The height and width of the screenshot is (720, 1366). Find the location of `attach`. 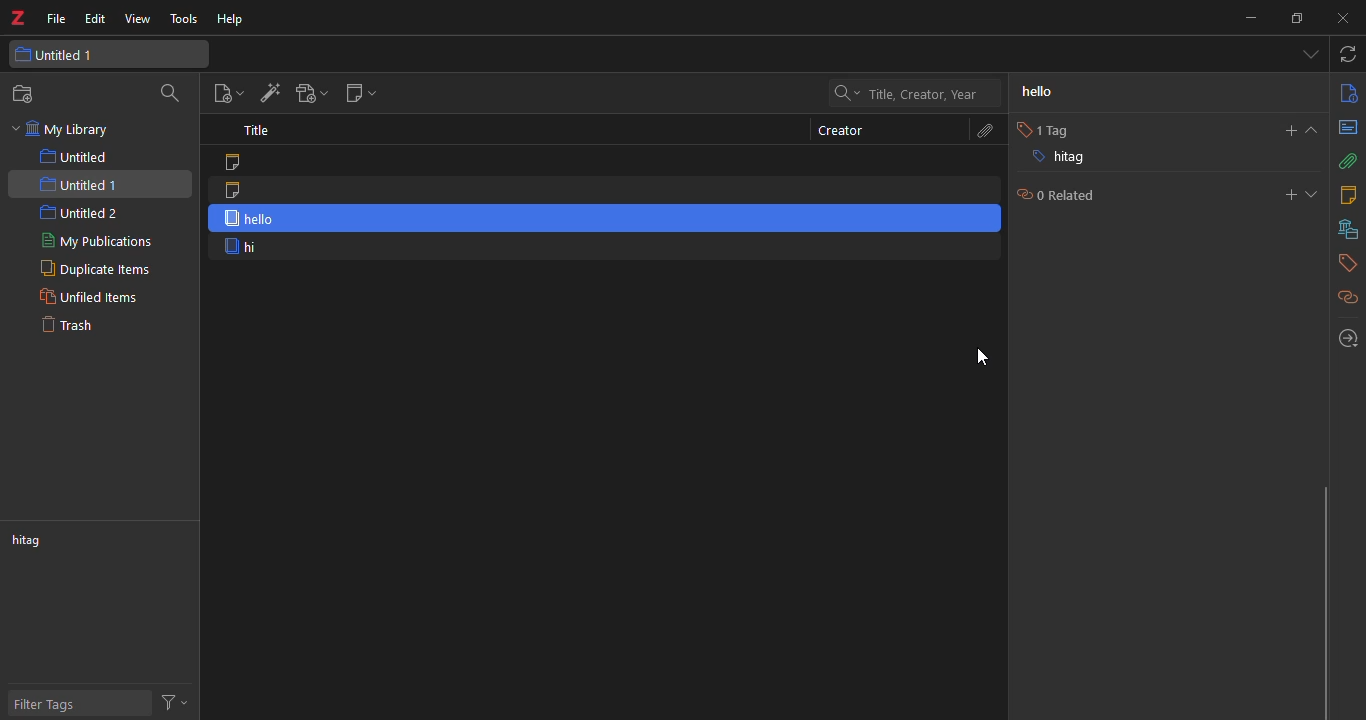

attach is located at coordinates (983, 131).